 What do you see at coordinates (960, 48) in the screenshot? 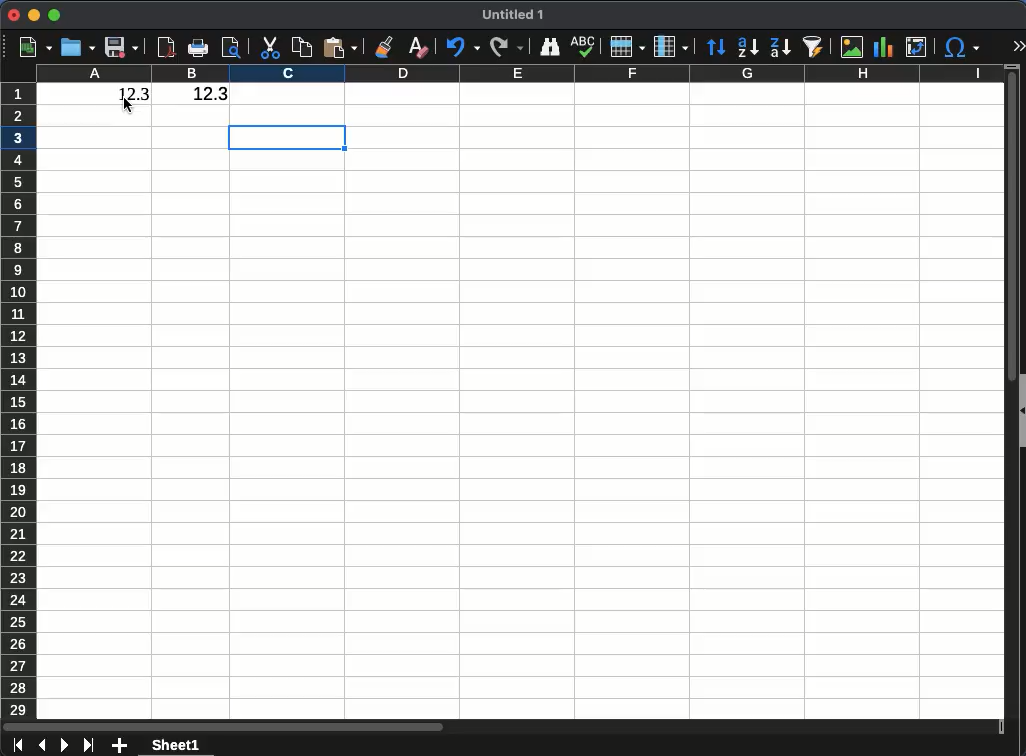
I see `special character` at bounding box center [960, 48].